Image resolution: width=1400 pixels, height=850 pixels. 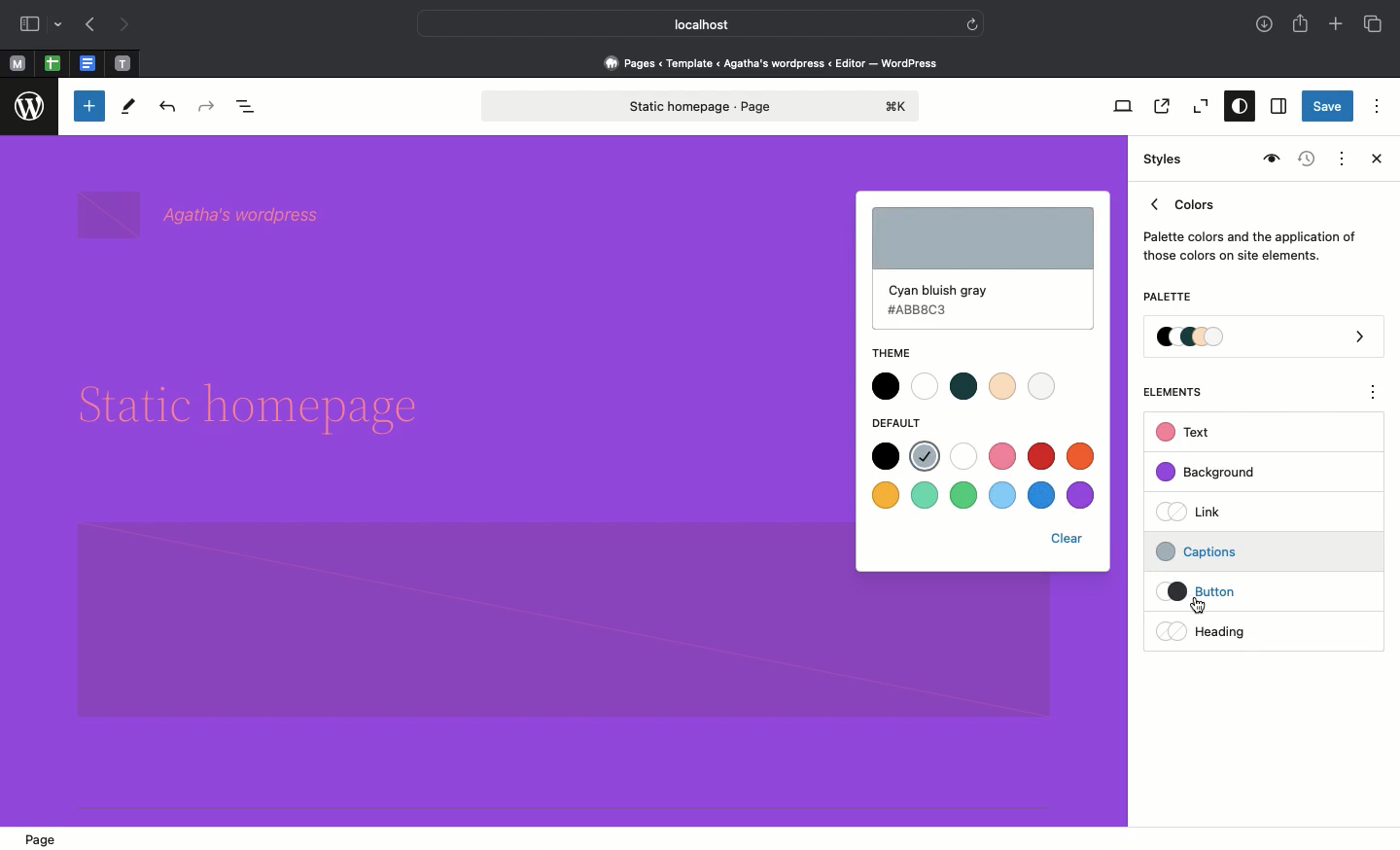 I want to click on Default, so click(x=904, y=422).